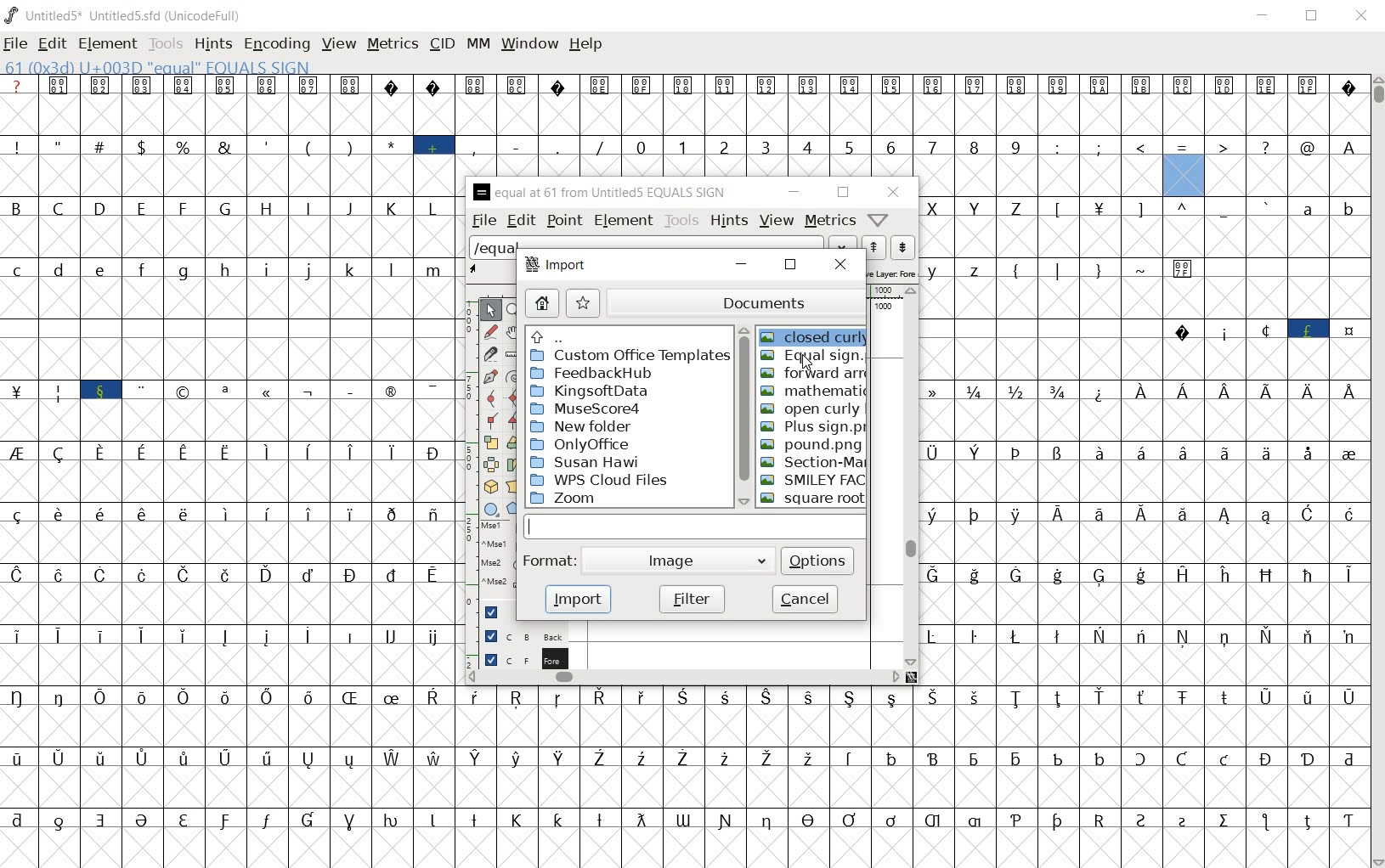 This screenshot has height=868, width=1385. I want to click on feedbackHub, so click(594, 372).